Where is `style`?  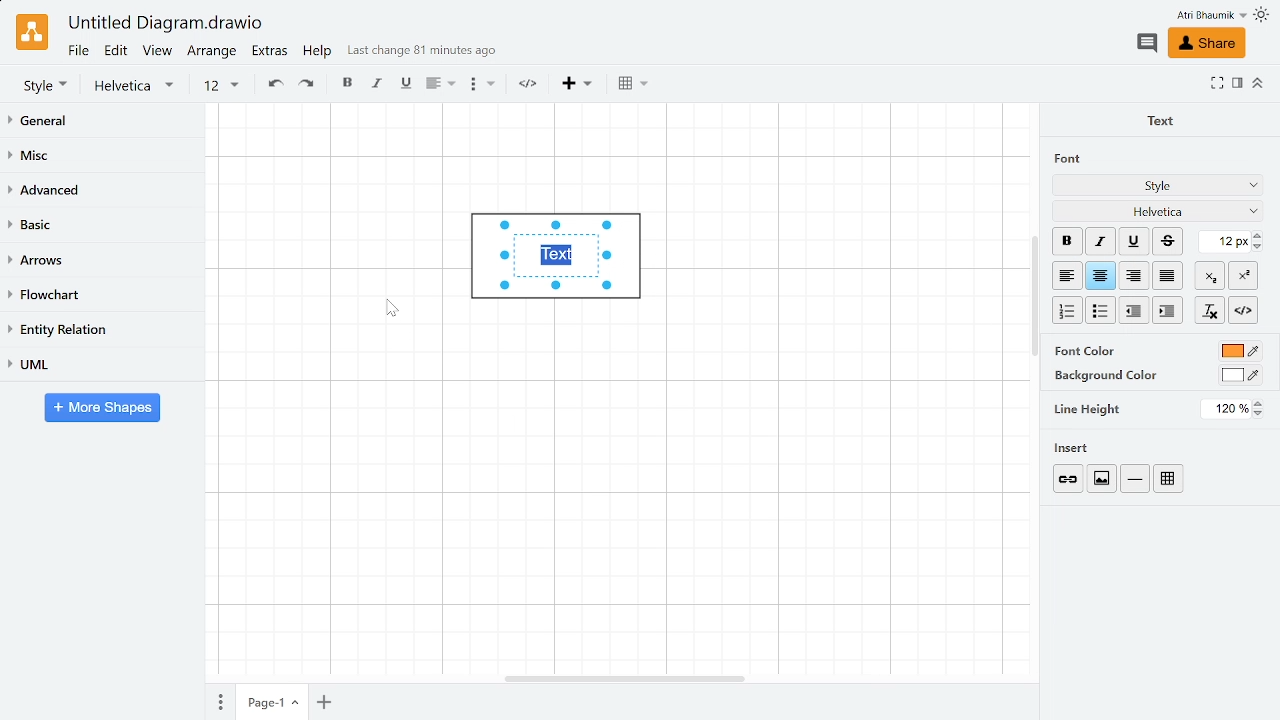 style is located at coordinates (45, 85).